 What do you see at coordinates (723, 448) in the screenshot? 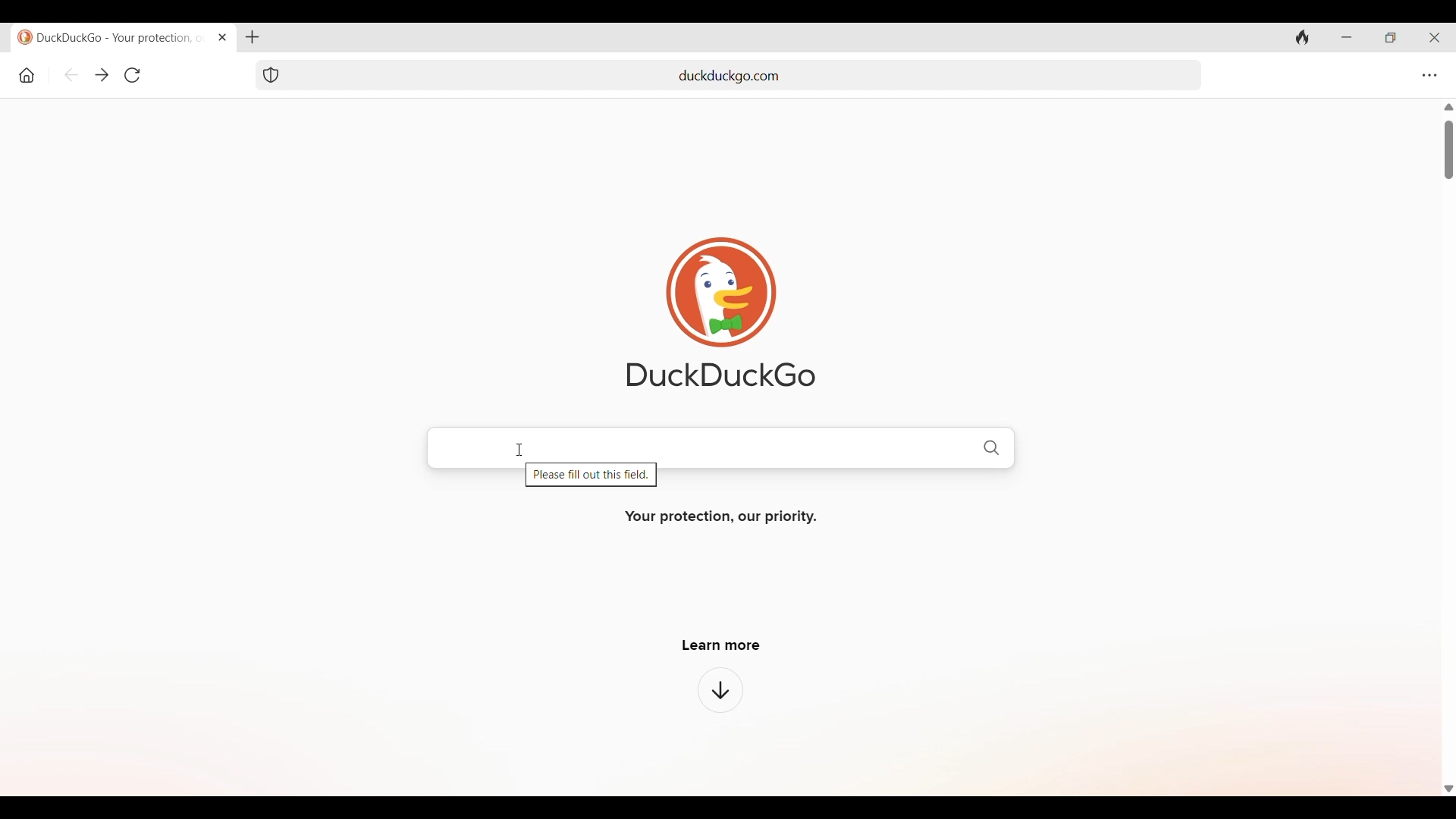
I see `search bar` at bounding box center [723, 448].